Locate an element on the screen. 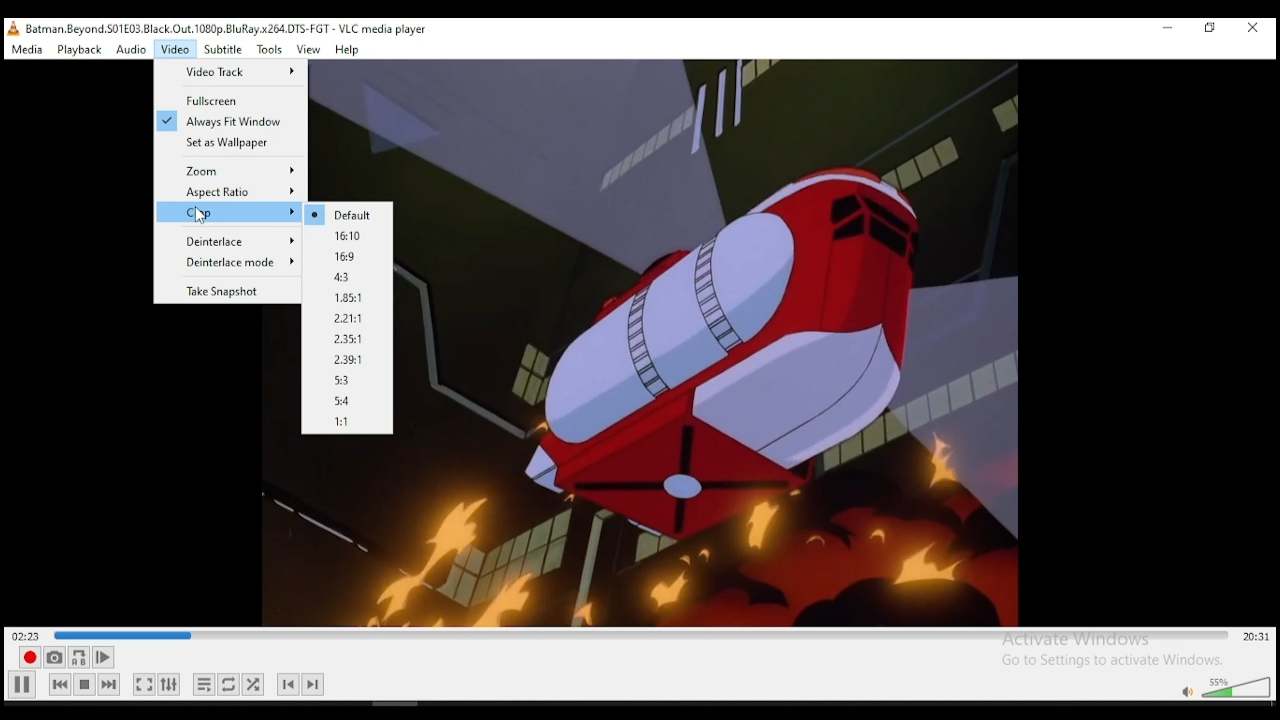  remainig/total time is located at coordinates (1252, 638).